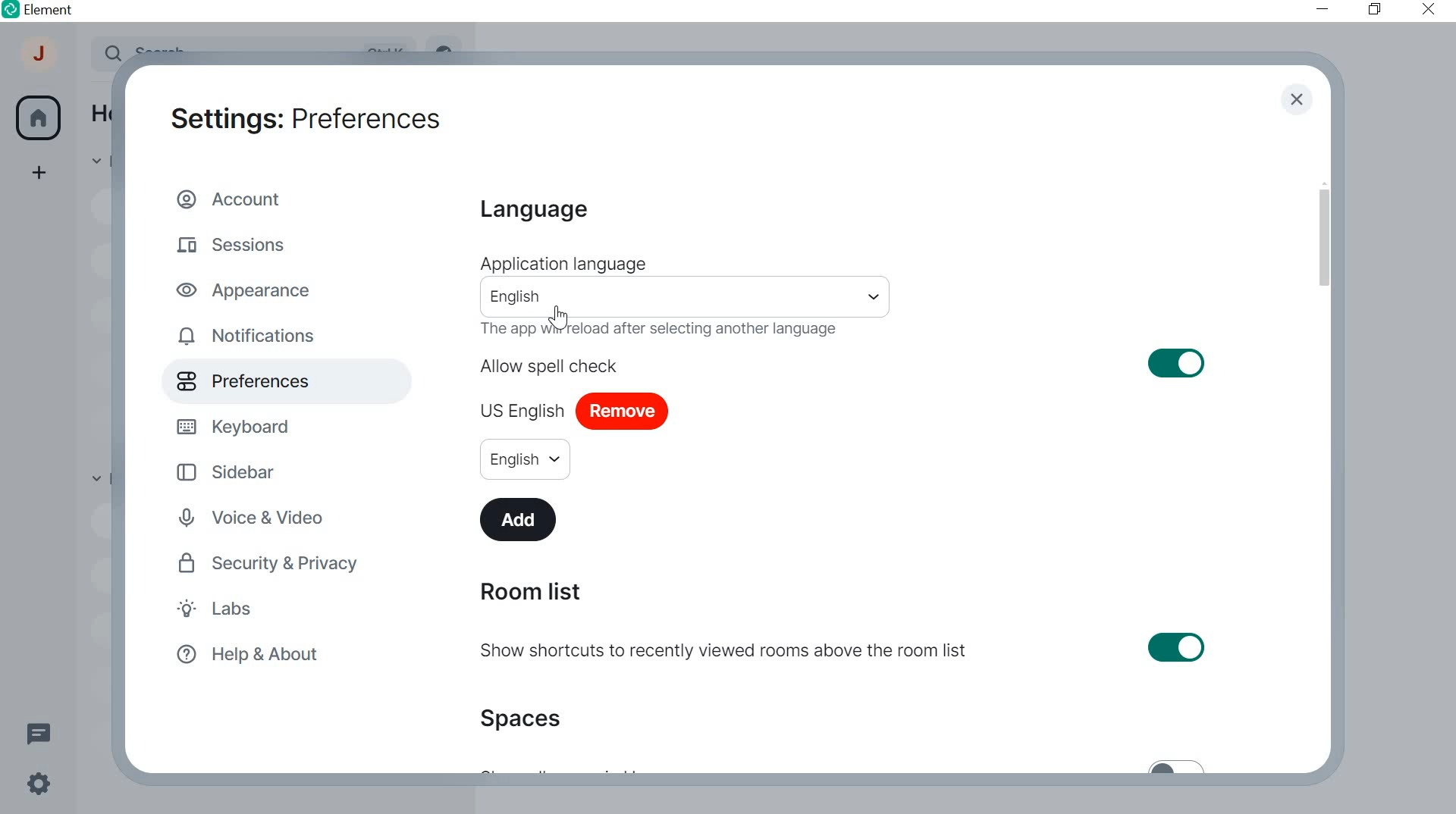 This screenshot has width=1456, height=814. What do you see at coordinates (687, 297) in the screenshot?
I see `Search bar` at bounding box center [687, 297].